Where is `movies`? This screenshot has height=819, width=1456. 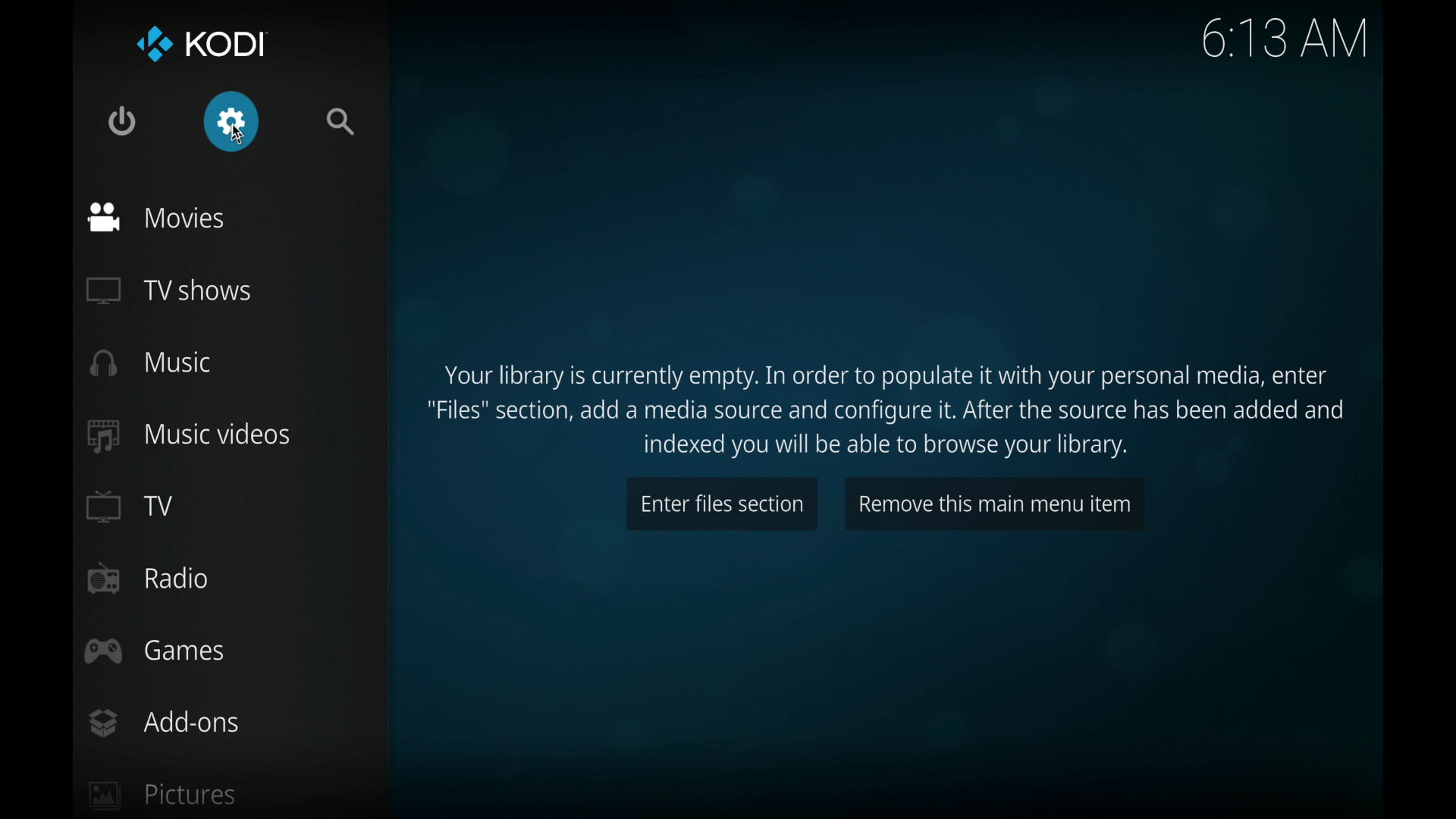
movies is located at coordinates (156, 217).